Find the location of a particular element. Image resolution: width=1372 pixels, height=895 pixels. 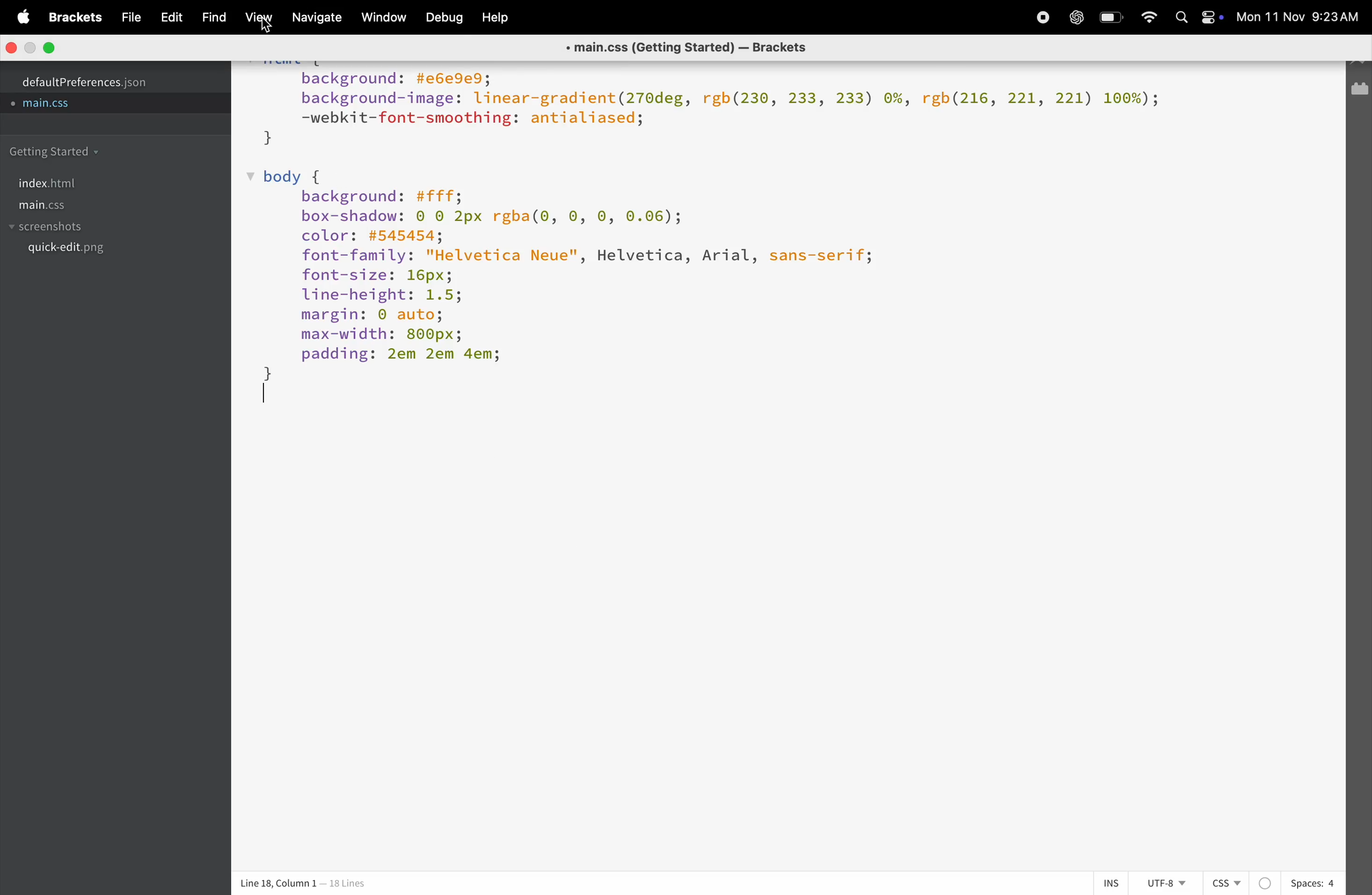

cursor is located at coordinates (267, 27).